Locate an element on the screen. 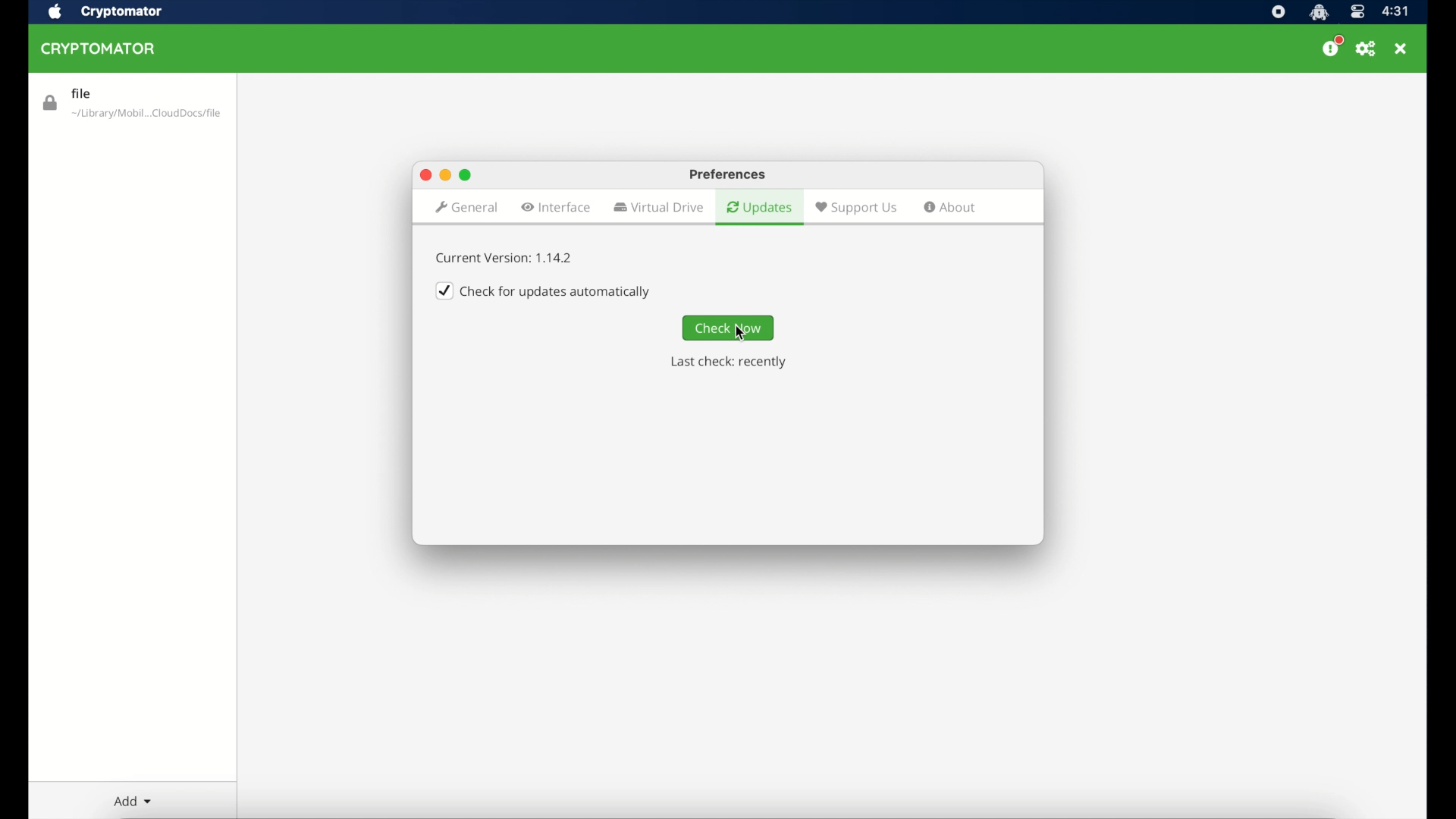 This screenshot has height=819, width=1456. minimize is located at coordinates (445, 175).